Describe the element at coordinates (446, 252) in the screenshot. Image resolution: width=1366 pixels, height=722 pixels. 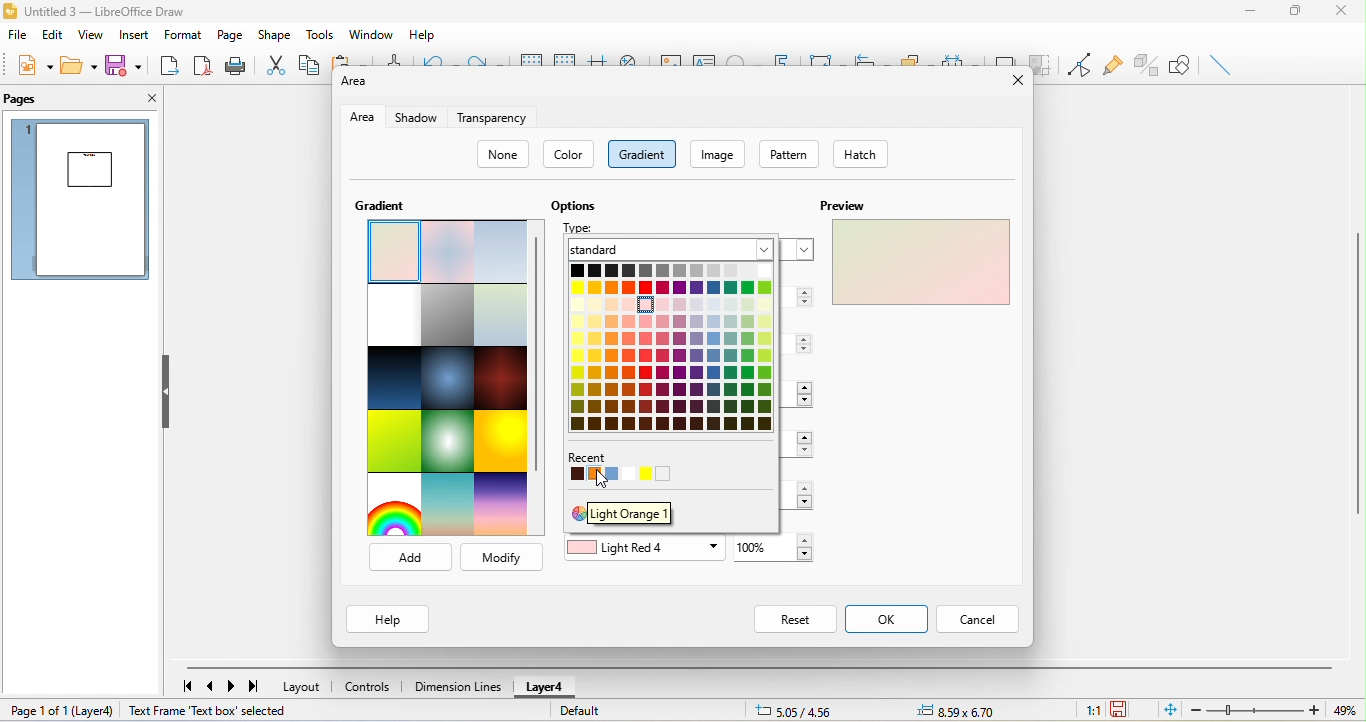
I see `pastel dream` at that location.